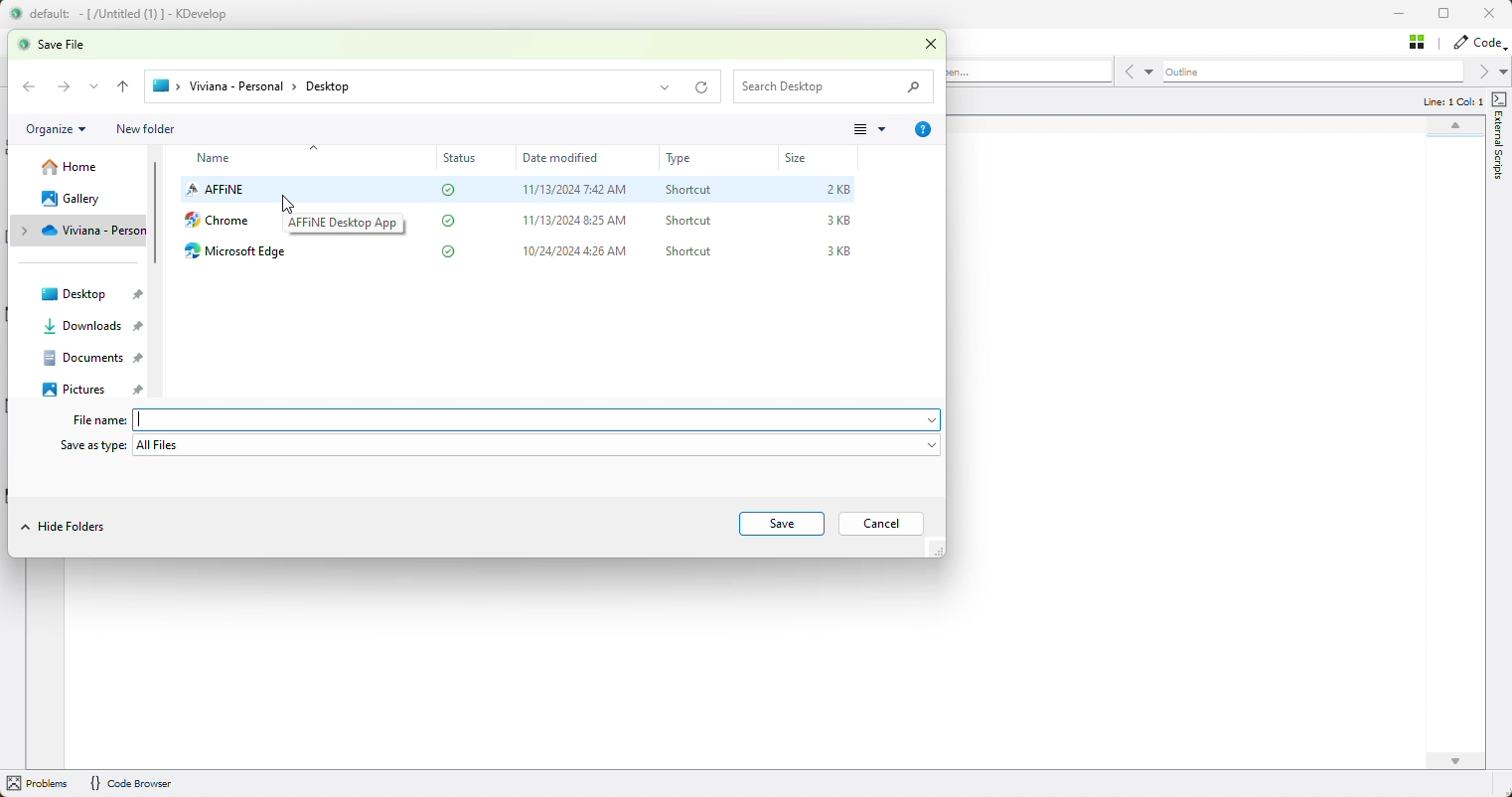 Image resolution: width=1512 pixels, height=797 pixels. What do you see at coordinates (841, 249) in the screenshot?
I see `3KB` at bounding box center [841, 249].